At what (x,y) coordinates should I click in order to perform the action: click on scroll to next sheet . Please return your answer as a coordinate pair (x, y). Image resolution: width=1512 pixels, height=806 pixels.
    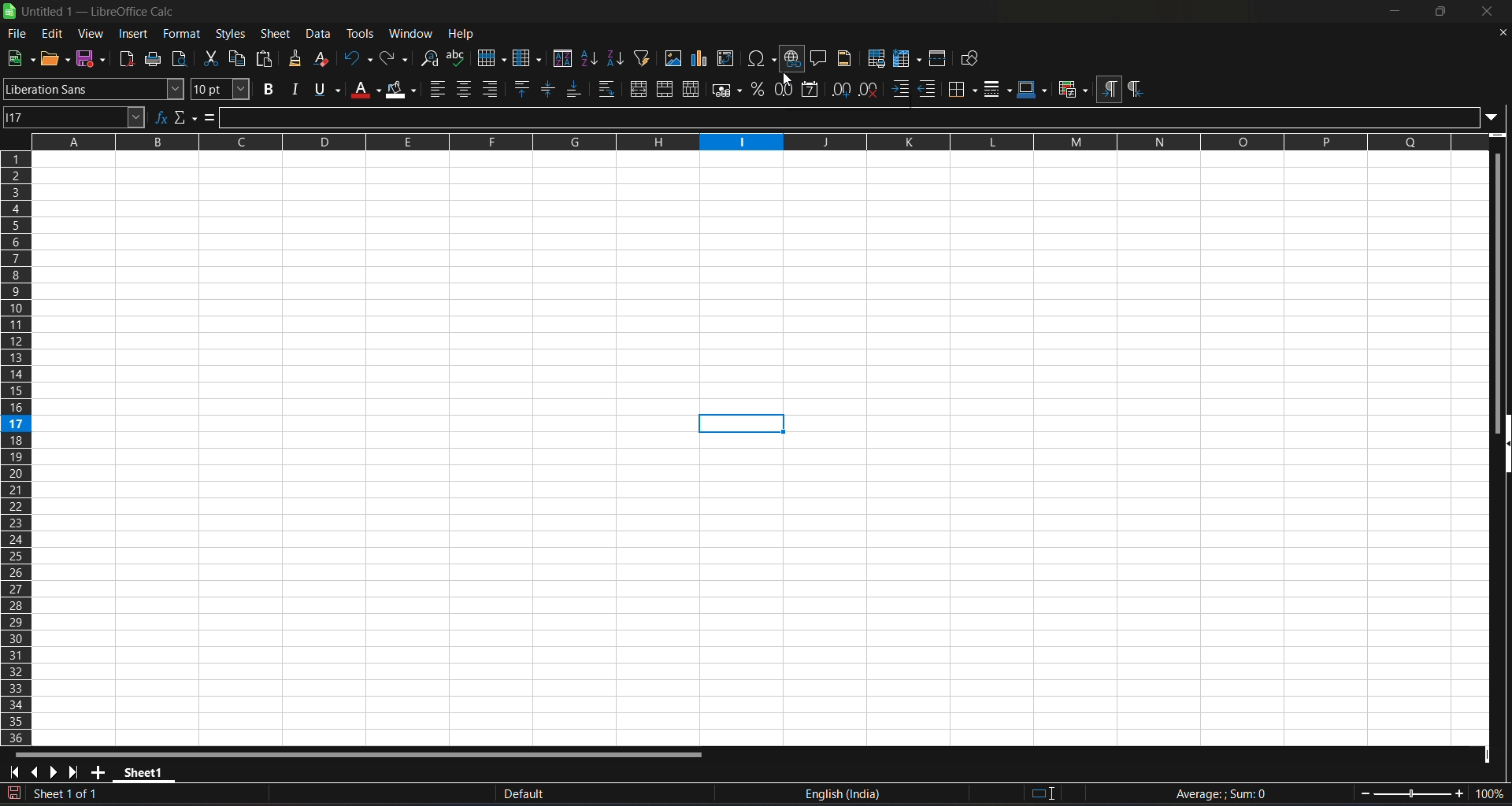
    Looking at the image, I should click on (53, 773).